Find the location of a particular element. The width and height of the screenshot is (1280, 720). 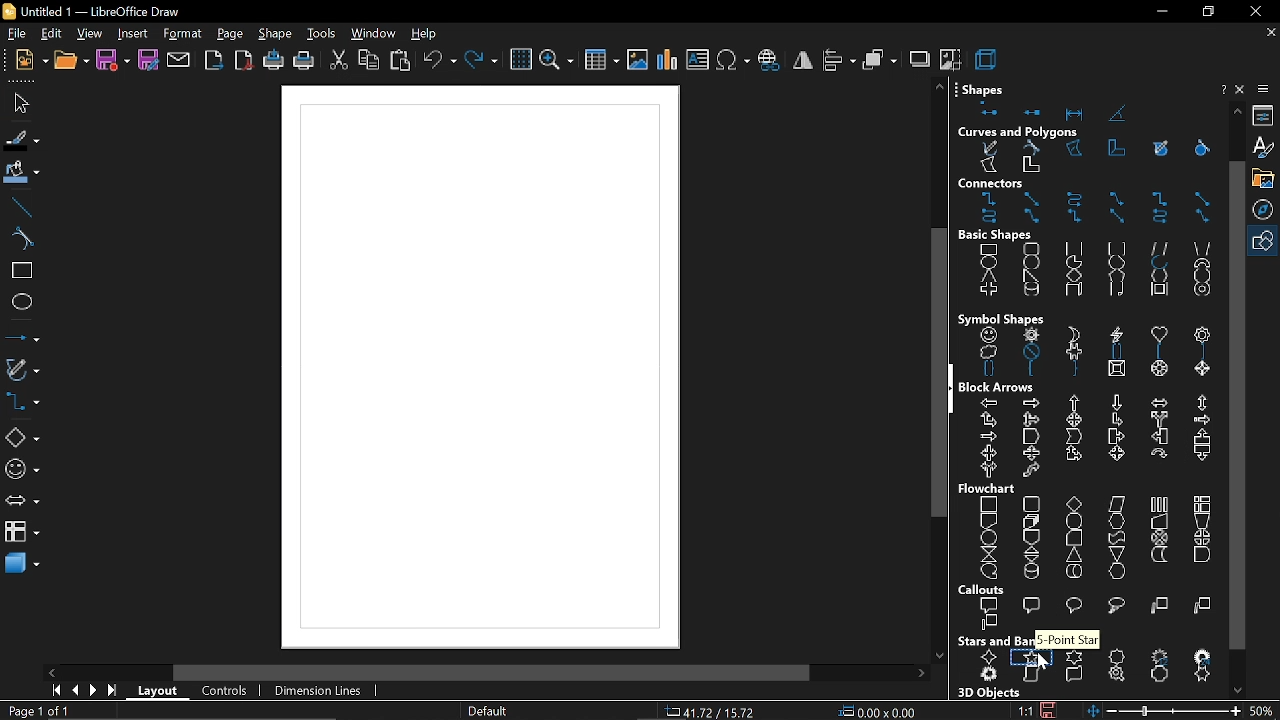

edit is located at coordinates (50, 34).